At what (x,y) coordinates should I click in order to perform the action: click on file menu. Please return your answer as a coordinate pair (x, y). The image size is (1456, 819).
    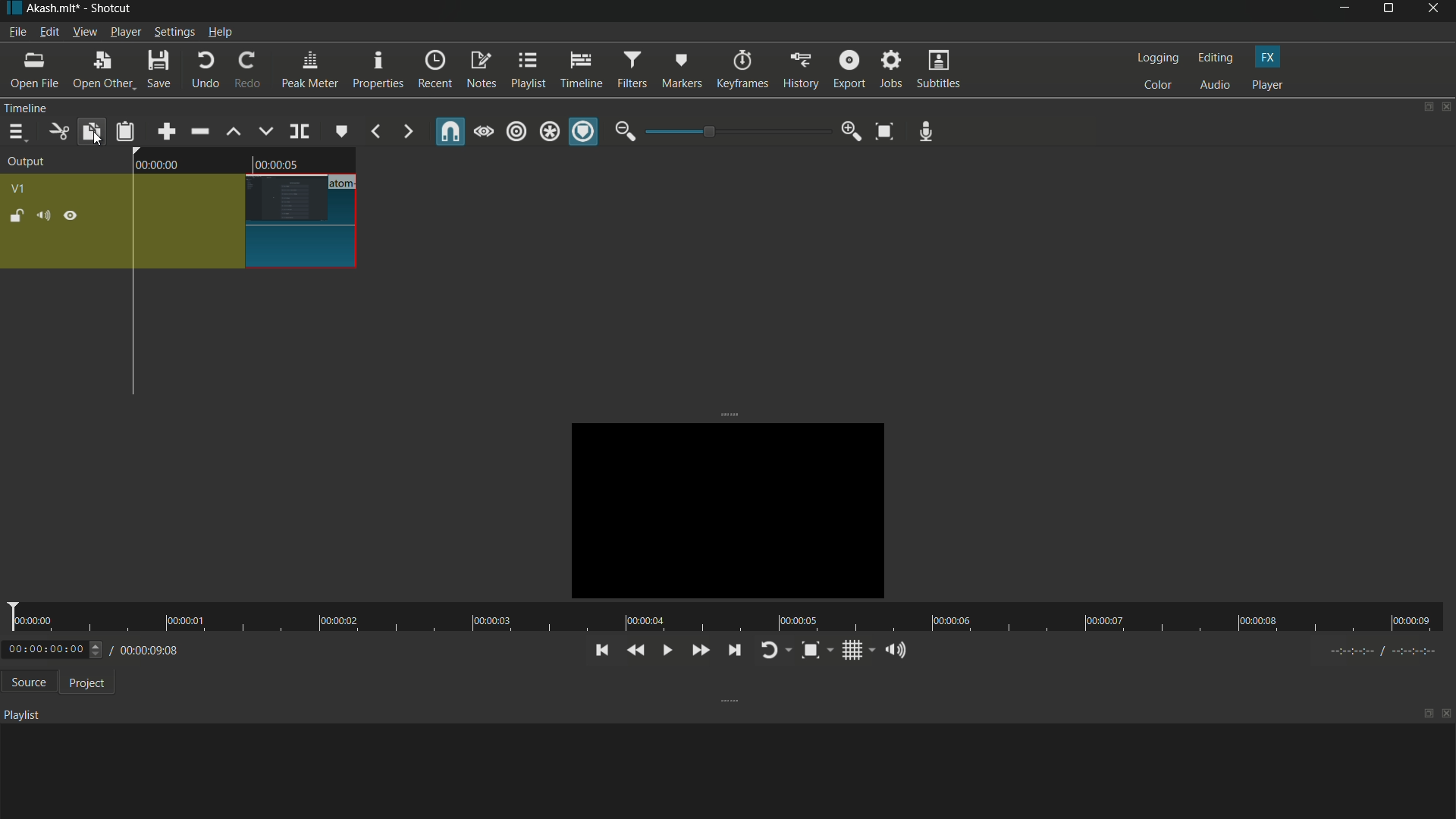
    Looking at the image, I should click on (17, 32).